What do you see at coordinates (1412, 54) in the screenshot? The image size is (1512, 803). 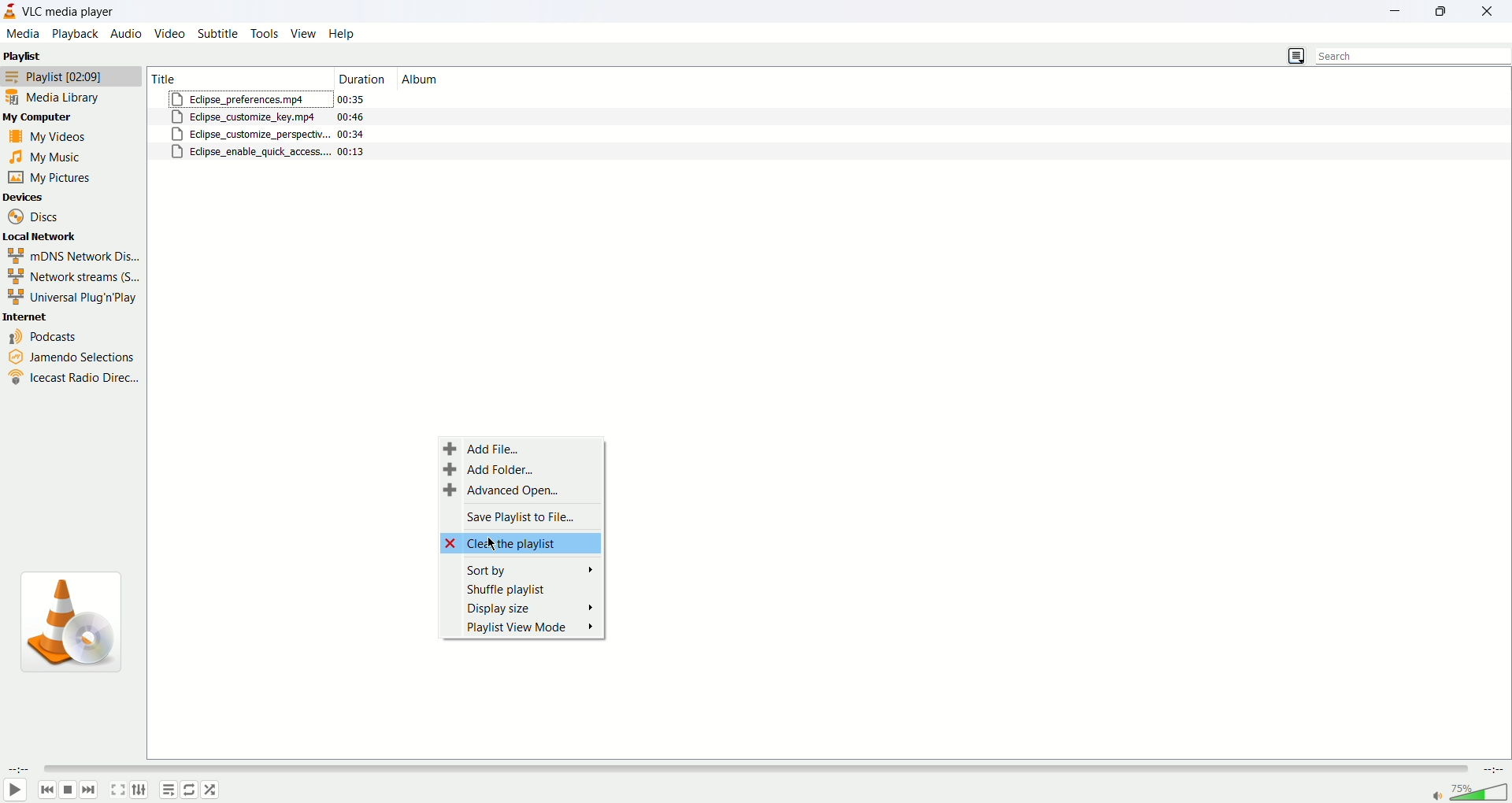 I see `search bar` at bounding box center [1412, 54].